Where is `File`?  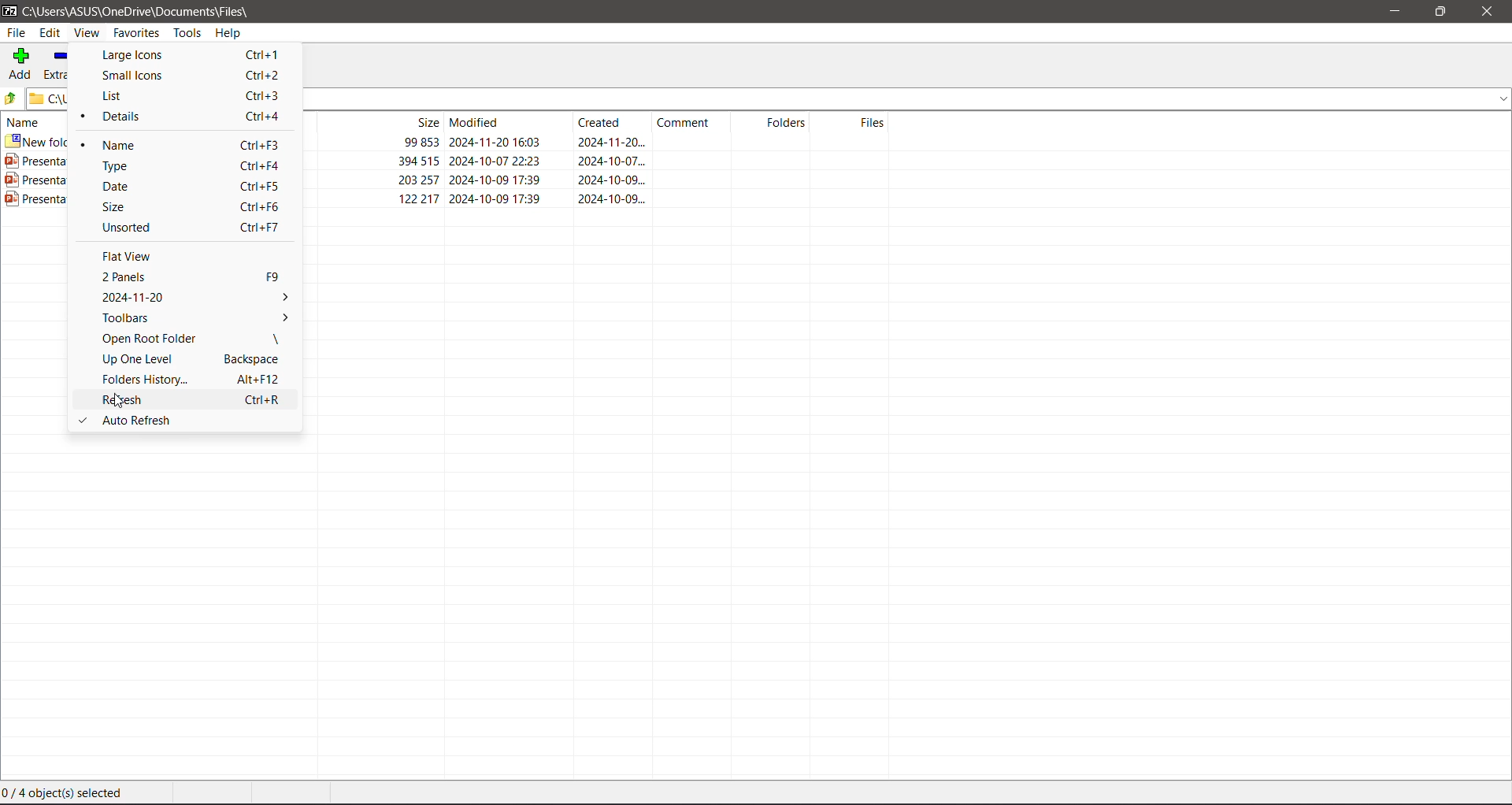 File is located at coordinates (16, 32).